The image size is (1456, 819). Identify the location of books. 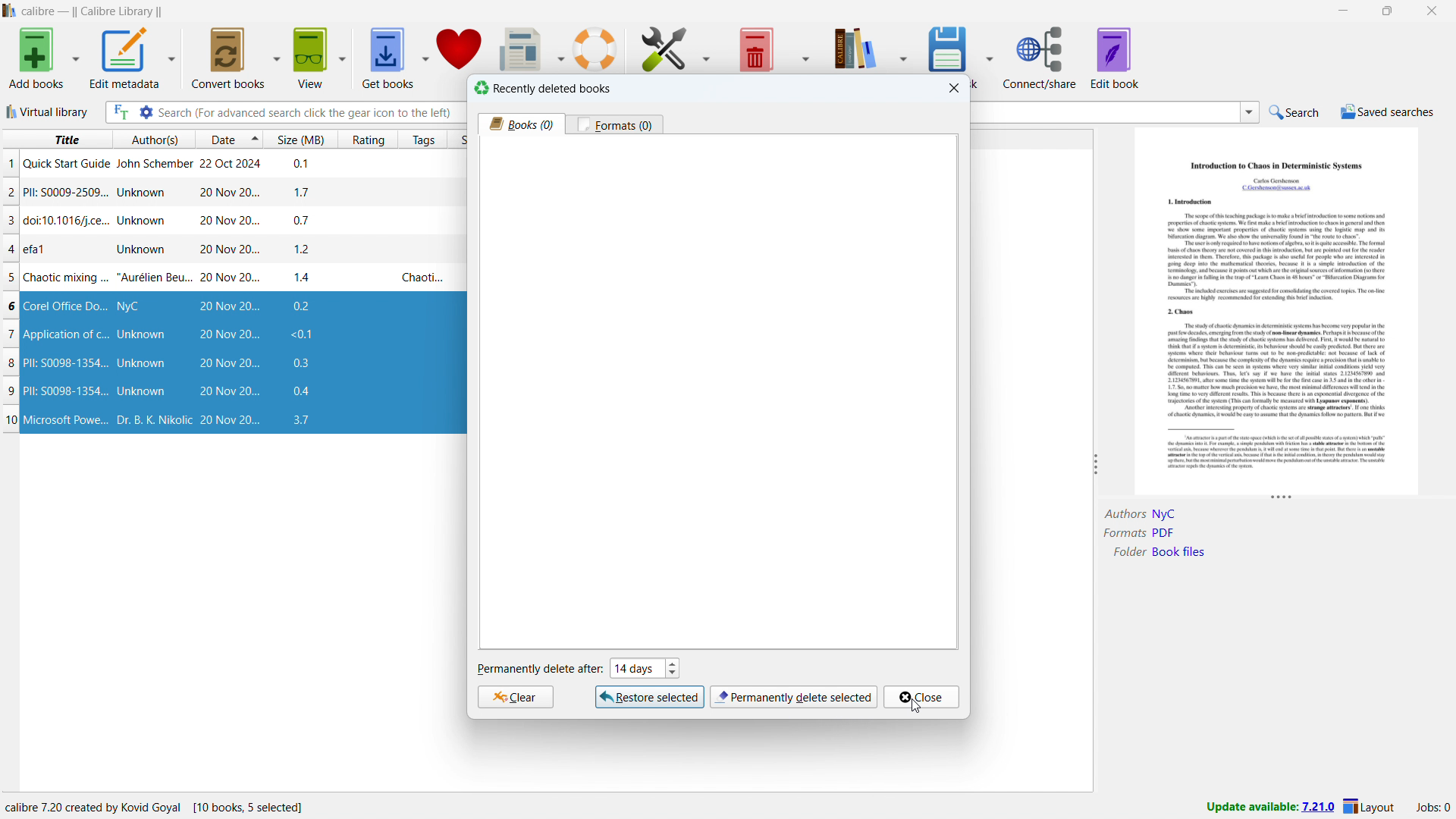
(522, 124).